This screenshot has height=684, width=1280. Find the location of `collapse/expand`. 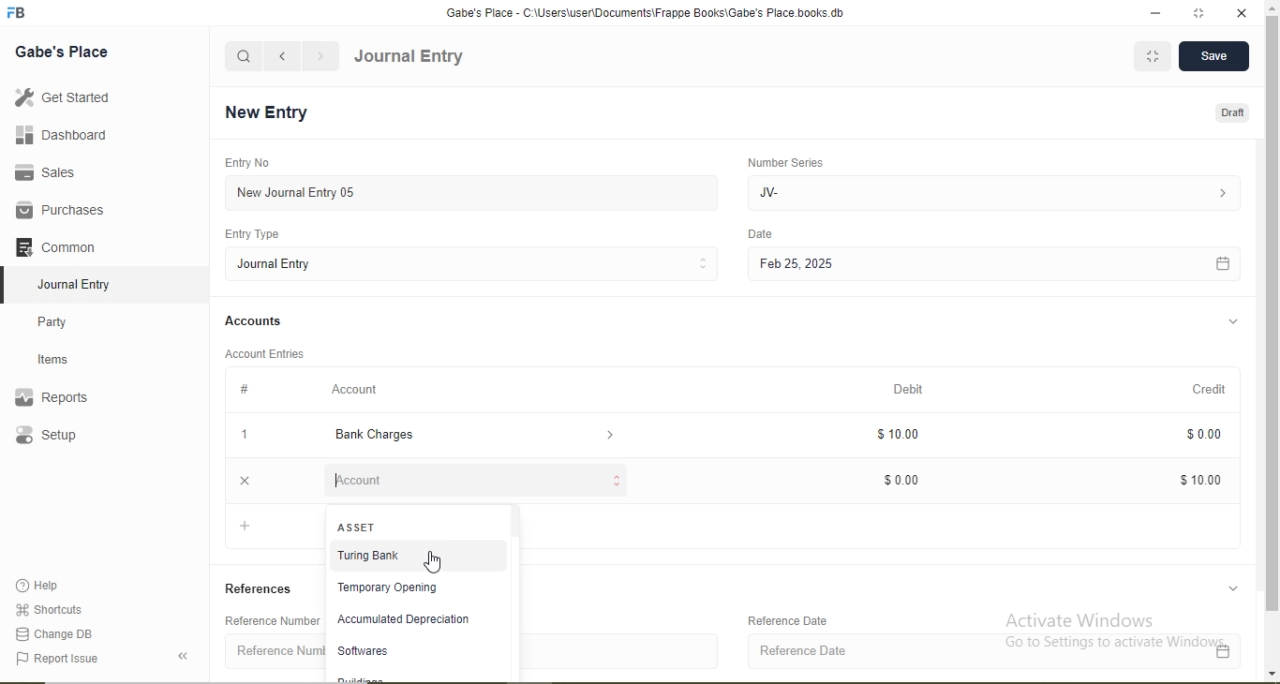

collapse/expand is located at coordinates (1234, 324).